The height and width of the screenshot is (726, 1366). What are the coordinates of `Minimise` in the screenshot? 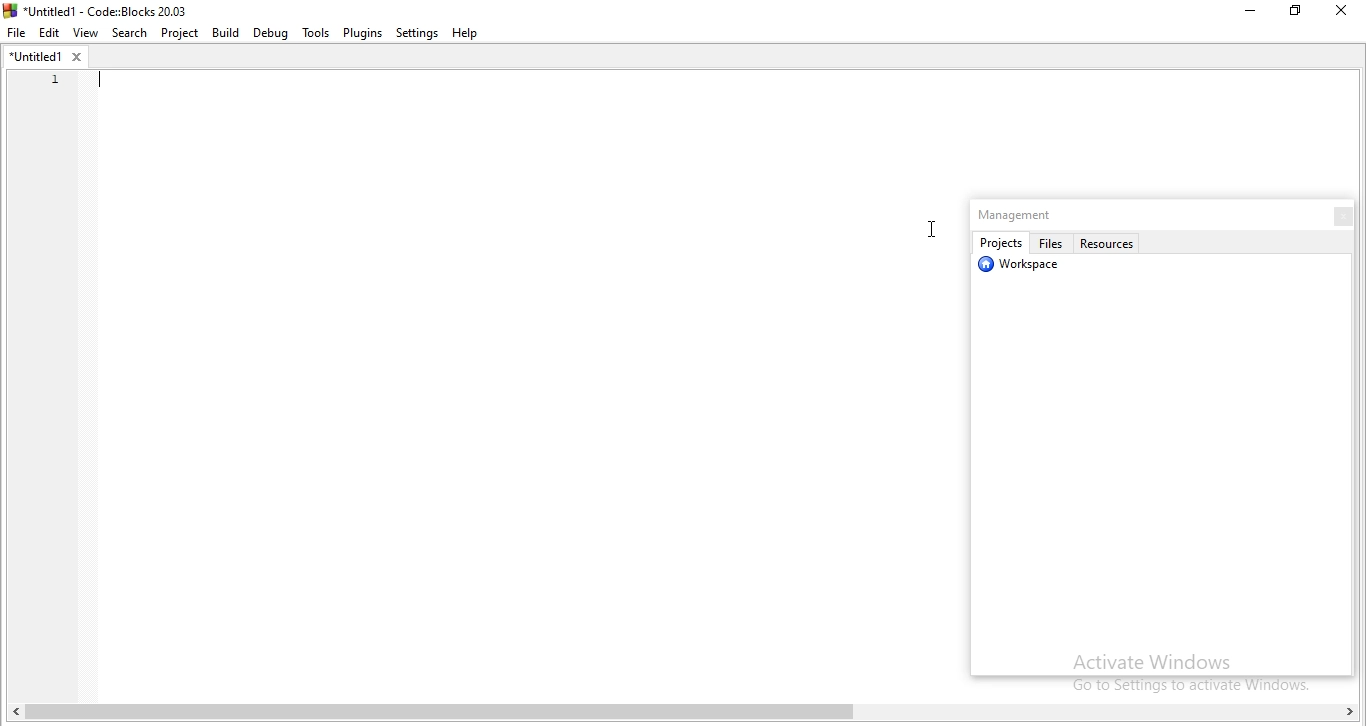 It's located at (1243, 14).